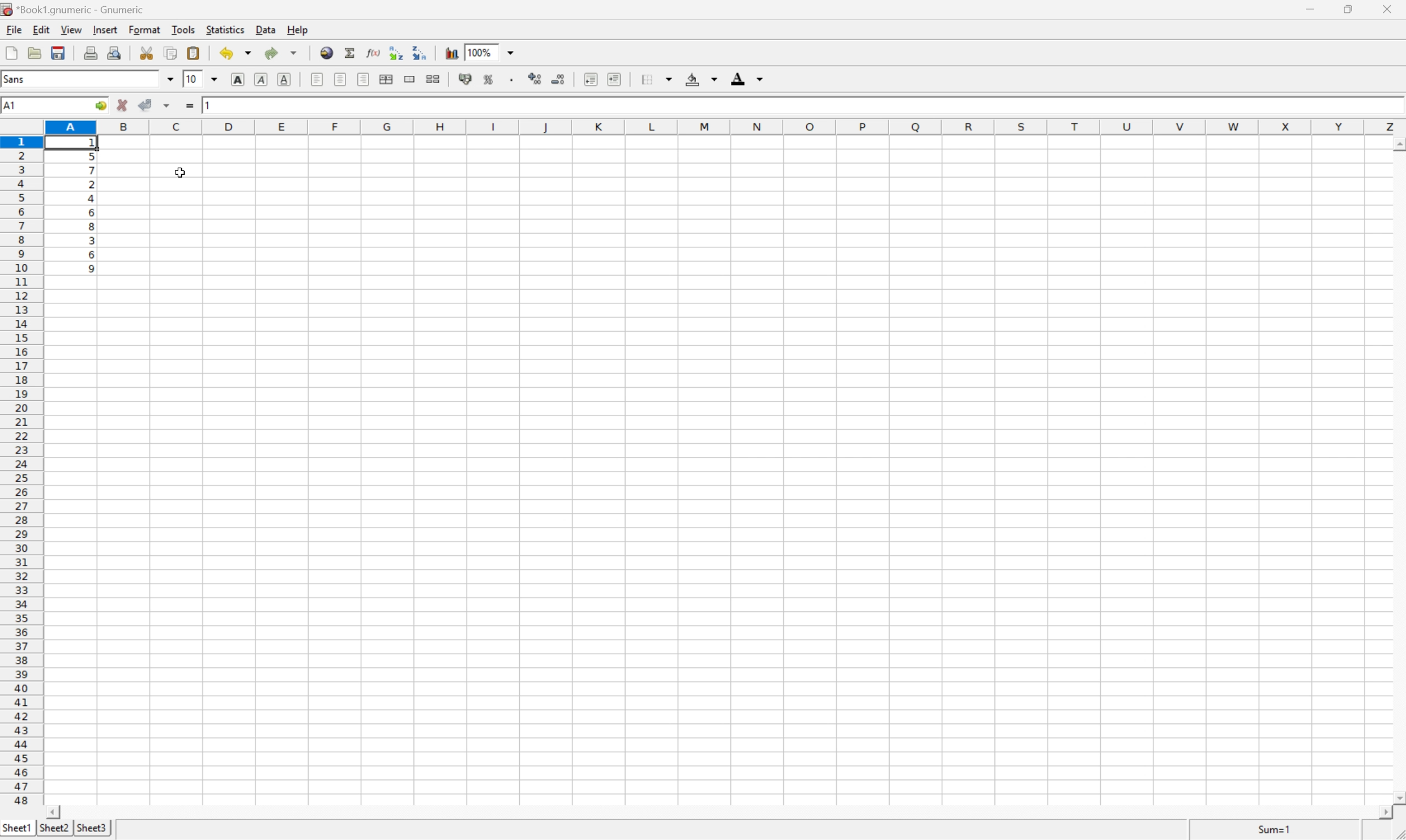 This screenshot has width=1406, height=840. I want to click on cursor, so click(178, 173).